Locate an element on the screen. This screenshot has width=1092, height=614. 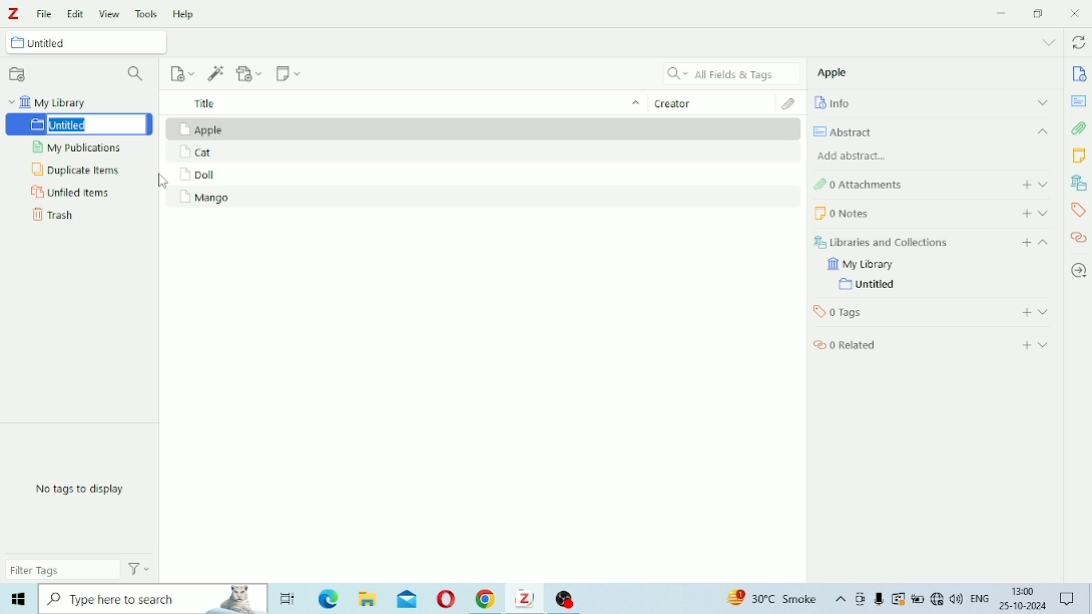
Related is located at coordinates (1079, 236).